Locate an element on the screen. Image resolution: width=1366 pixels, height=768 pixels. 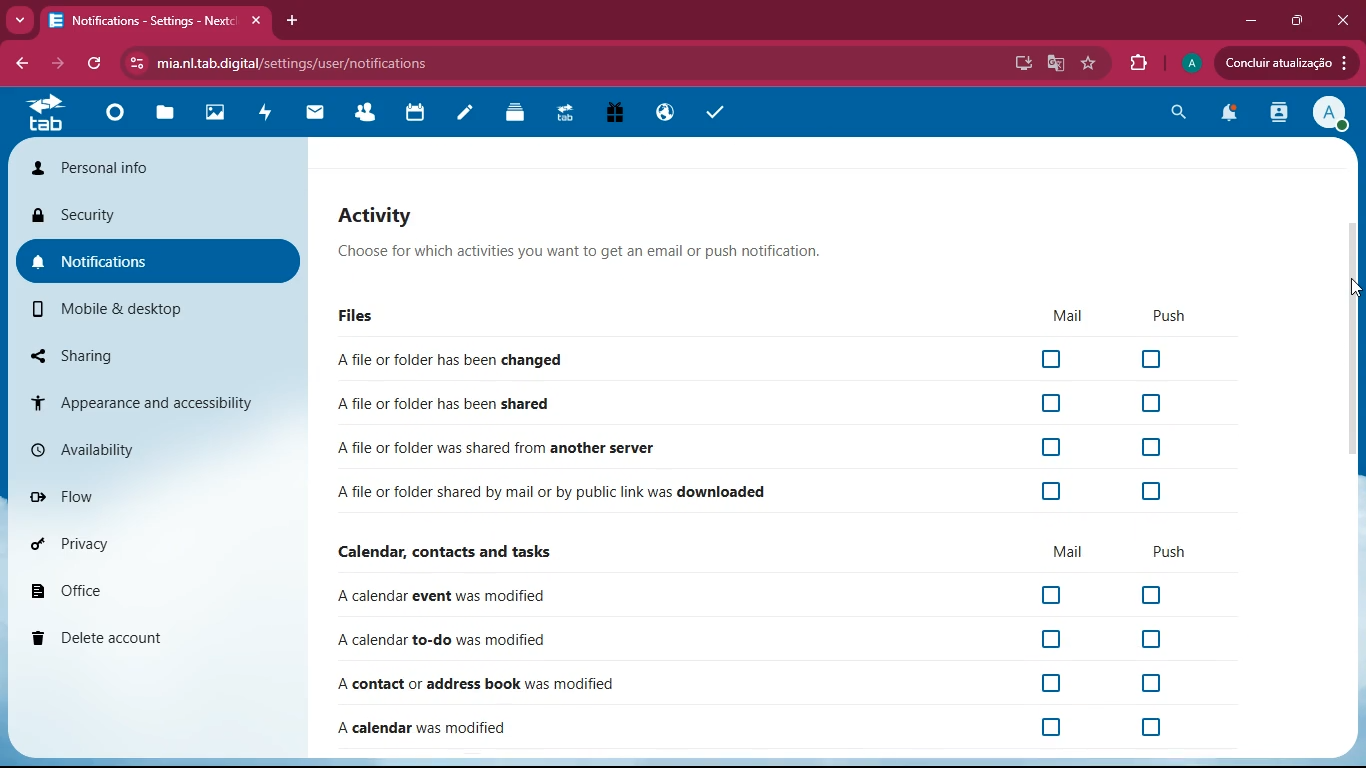
Choose for which activities you want to get an email or push notification. is located at coordinates (578, 253).